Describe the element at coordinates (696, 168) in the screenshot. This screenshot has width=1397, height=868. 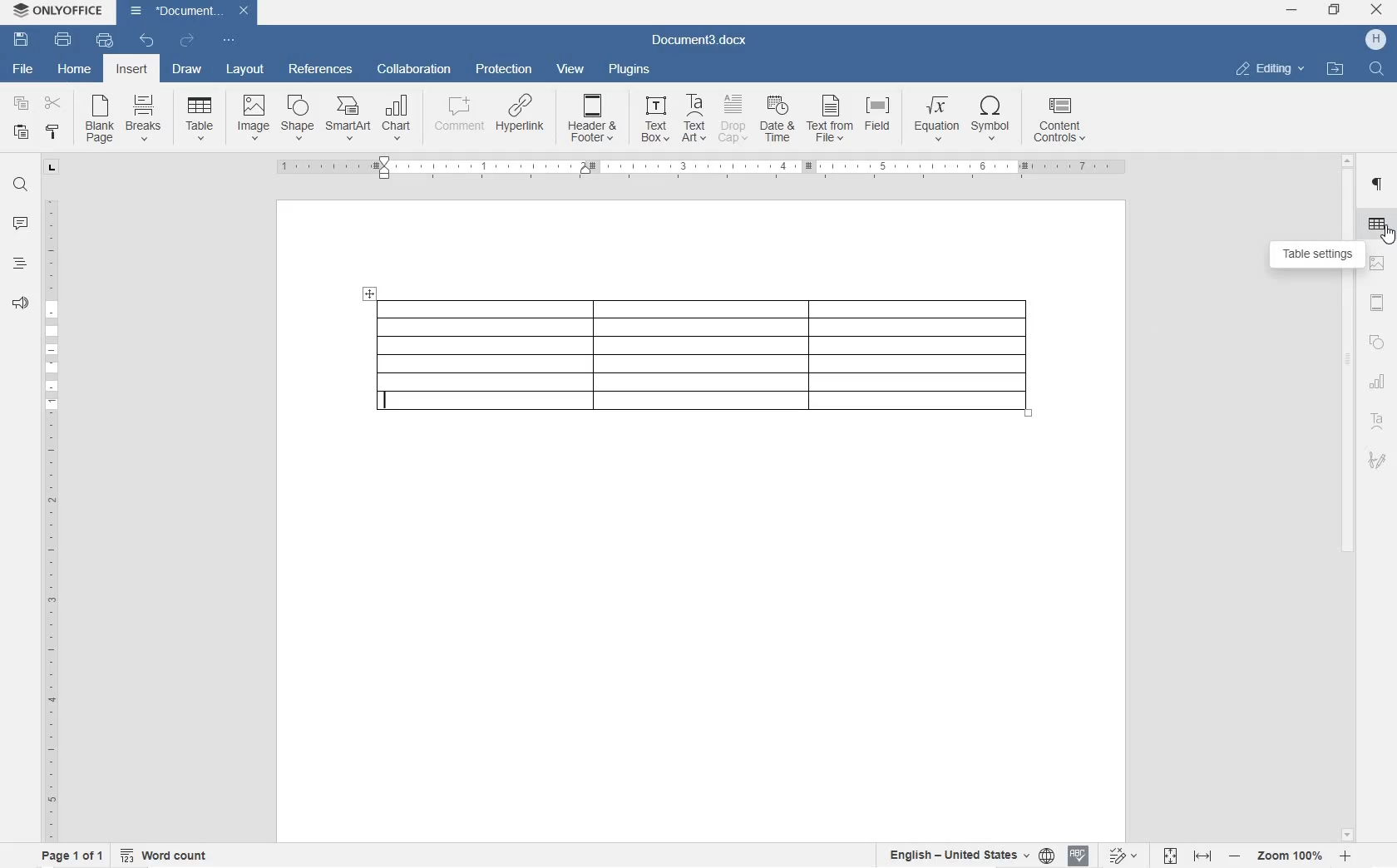
I see `RULER` at that location.